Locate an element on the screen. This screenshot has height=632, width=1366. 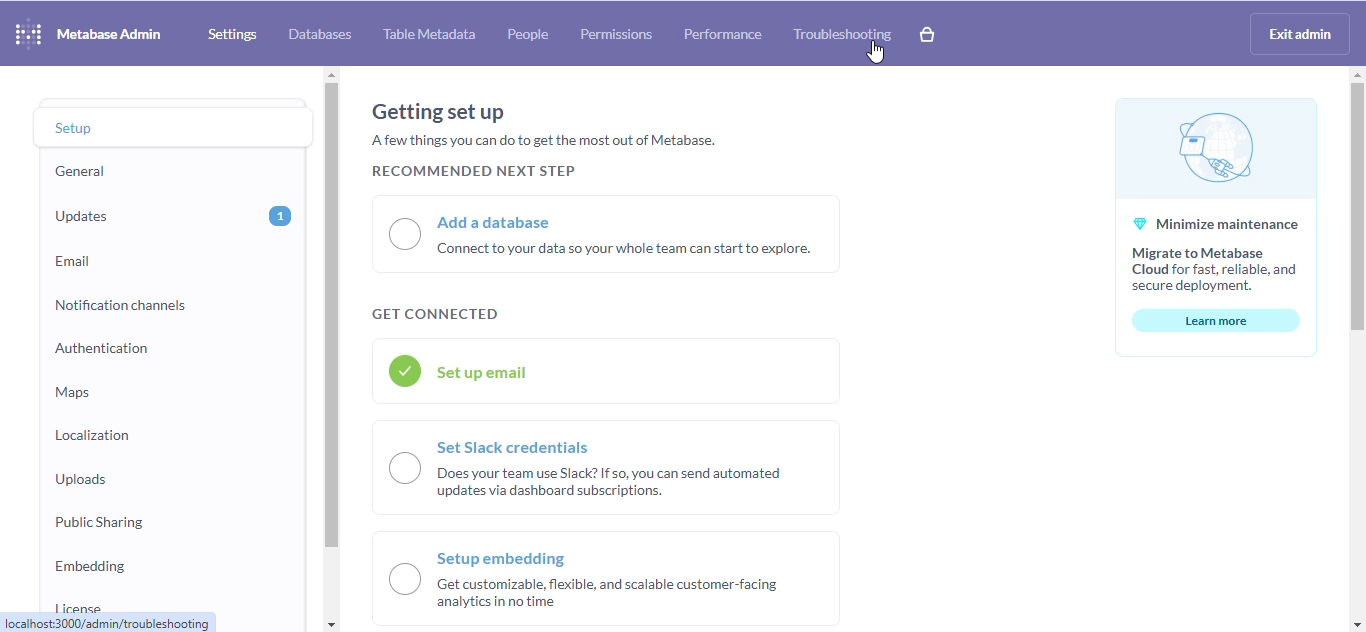
1 is located at coordinates (281, 216).